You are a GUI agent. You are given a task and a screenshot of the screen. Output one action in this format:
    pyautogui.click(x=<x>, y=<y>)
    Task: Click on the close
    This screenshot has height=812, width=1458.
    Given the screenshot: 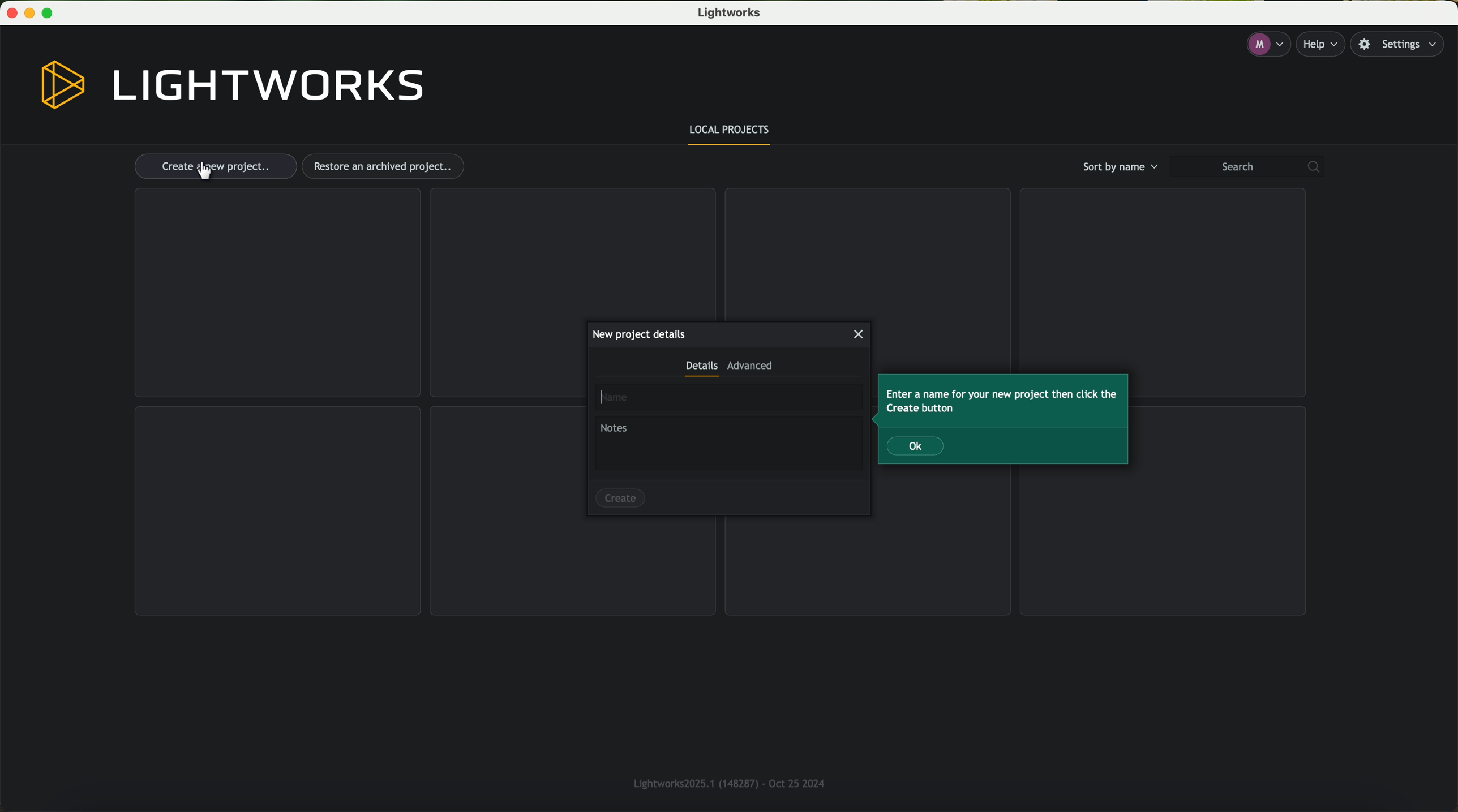 What is the action you would take?
    pyautogui.click(x=860, y=334)
    